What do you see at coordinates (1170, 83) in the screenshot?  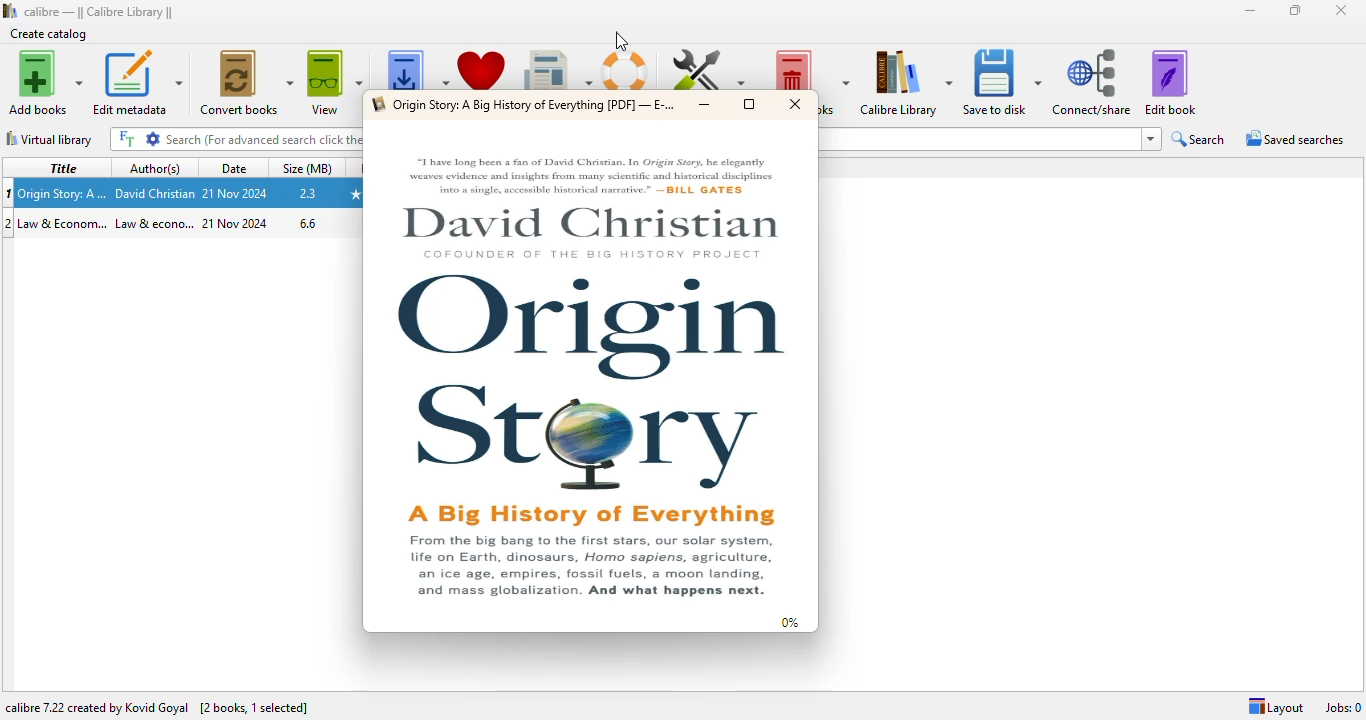 I see `edit book` at bounding box center [1170, 83].